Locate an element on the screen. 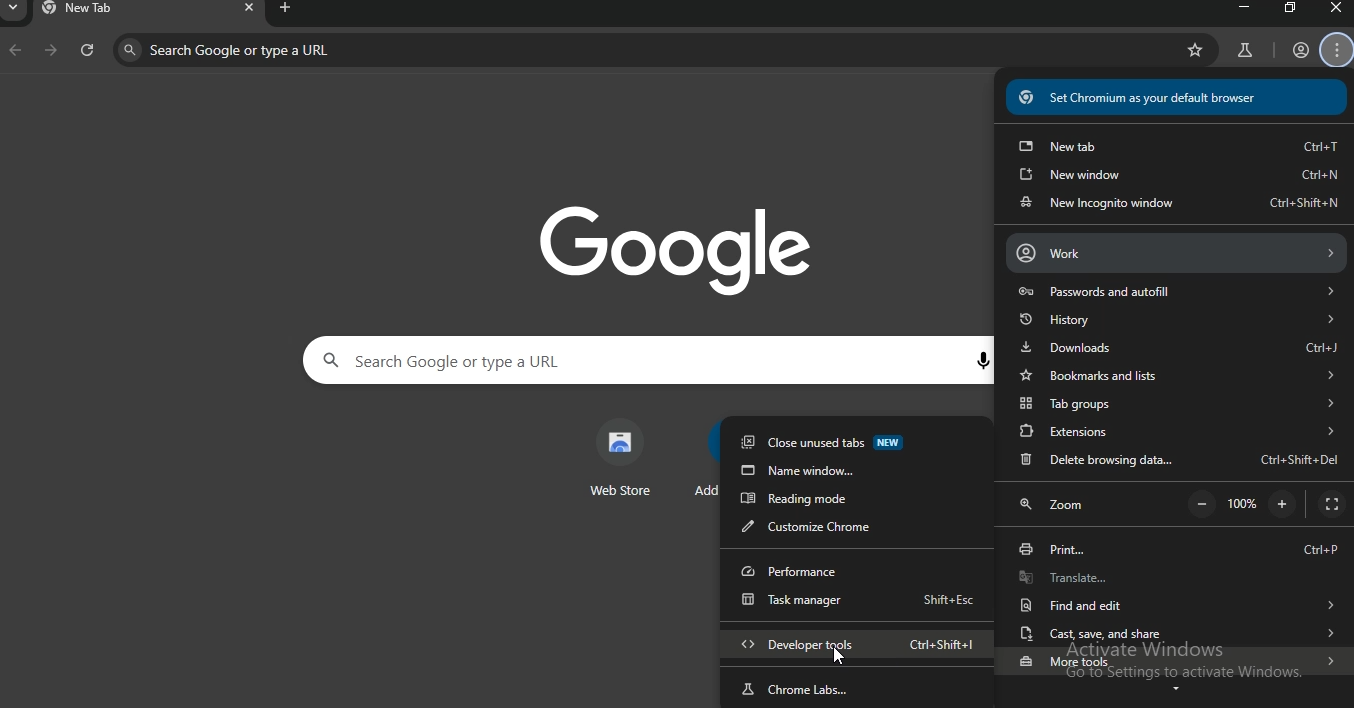 The height and width of the screenshot is (708, 1354). customize chrome is located at coordinates (850, 527).